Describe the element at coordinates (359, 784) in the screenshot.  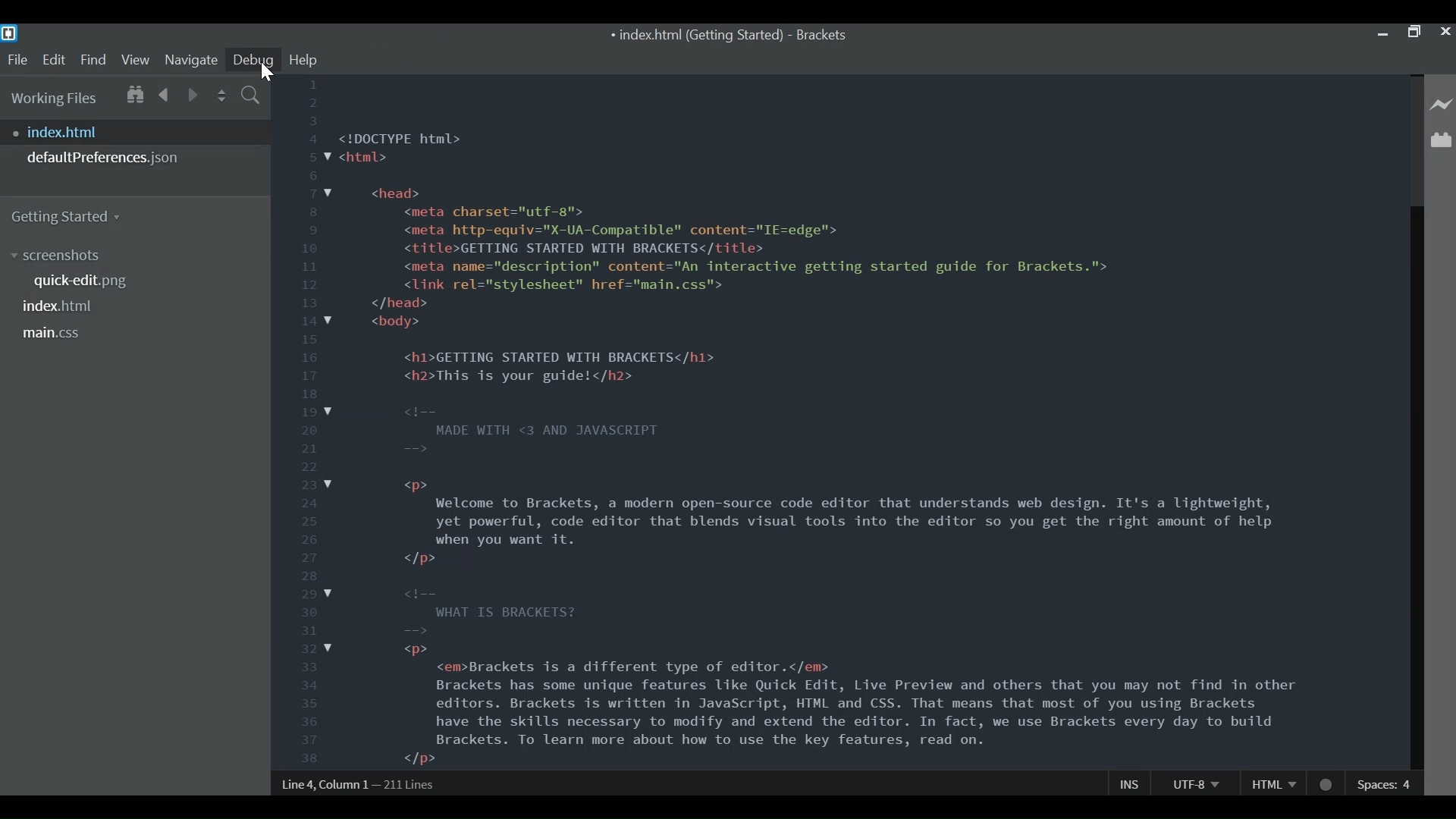
I see `Line 4, Column 1— 211 Lines` at that location.